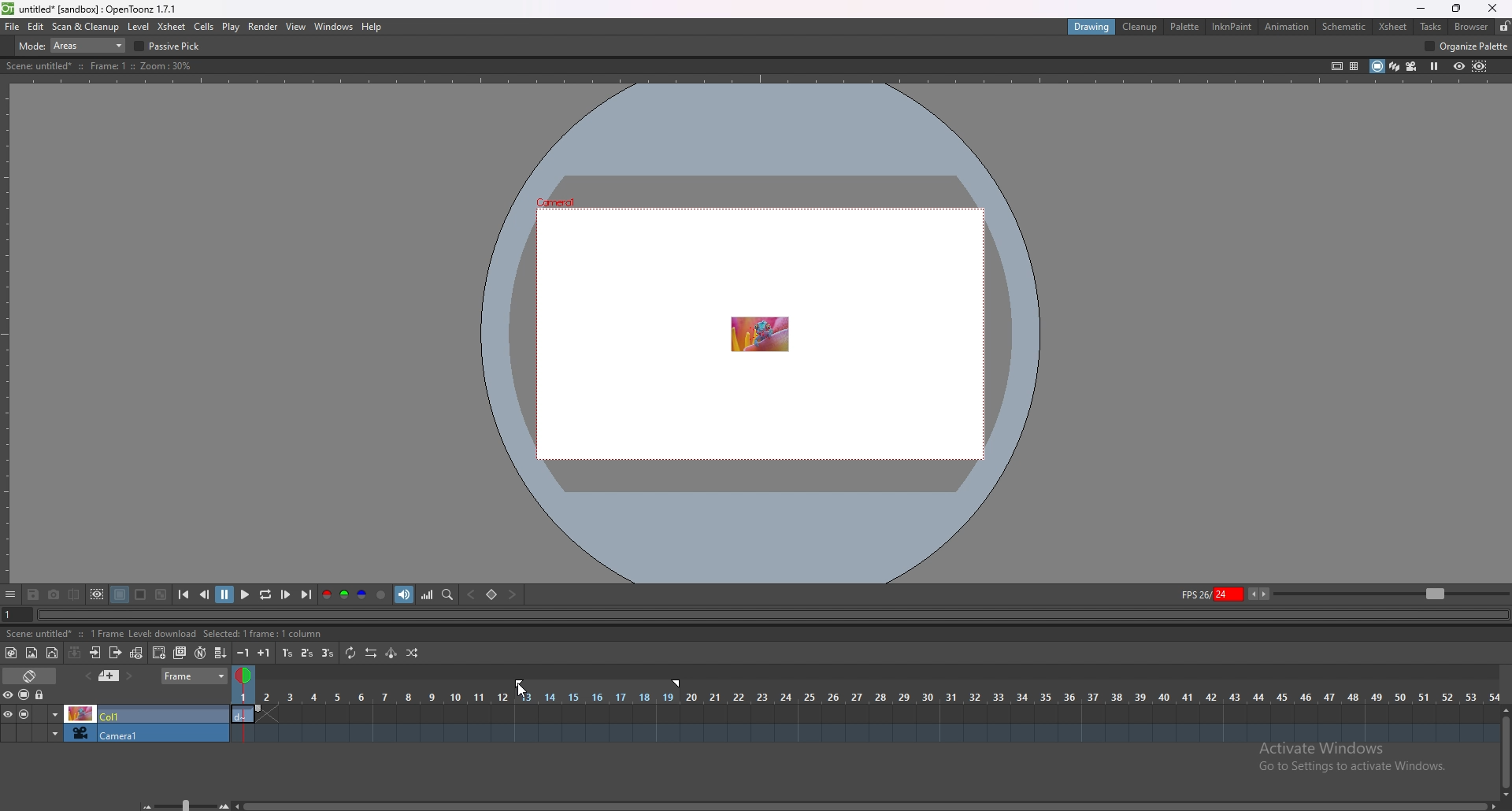 The height and width of the screenshot is (811, 1512). Describe the element at coordinates (138, 28) in the screenshot. I see `level` at that location.